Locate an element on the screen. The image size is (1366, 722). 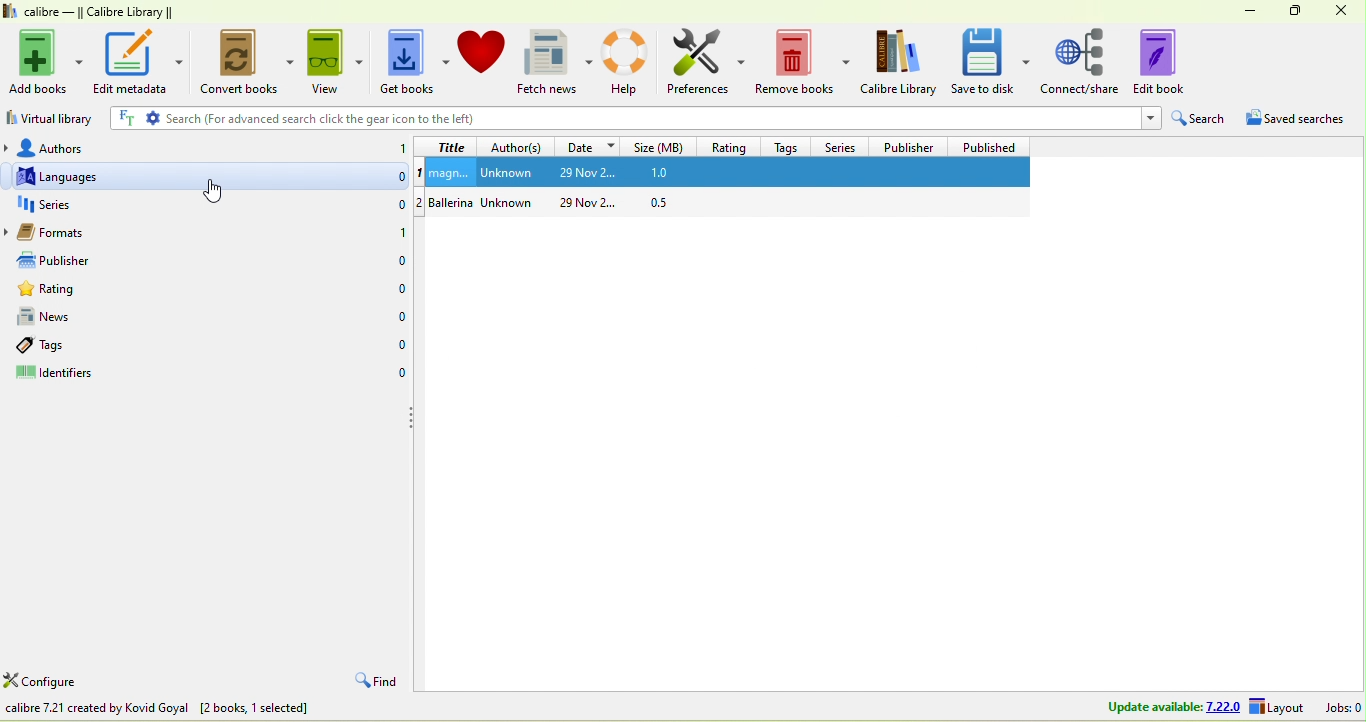
0 is located at coordinates (399, 231).